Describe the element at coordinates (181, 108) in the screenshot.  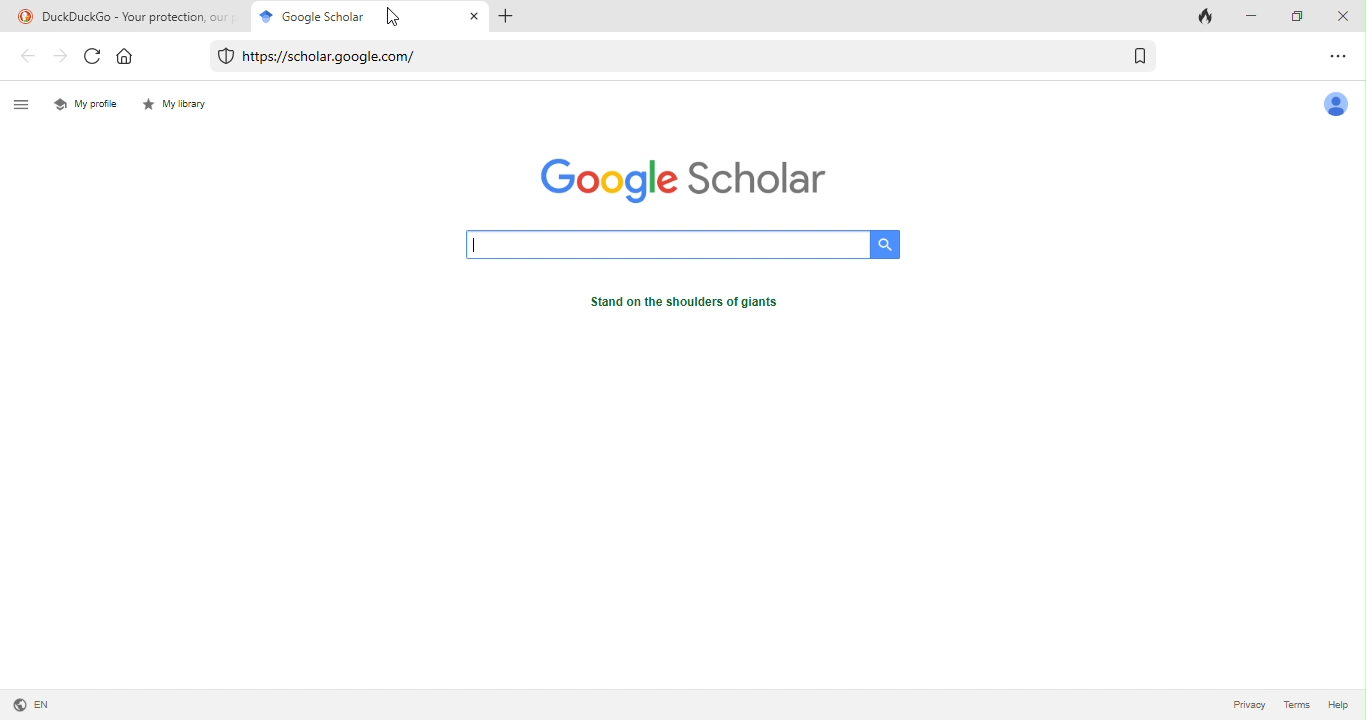
I see `my library` at that location.